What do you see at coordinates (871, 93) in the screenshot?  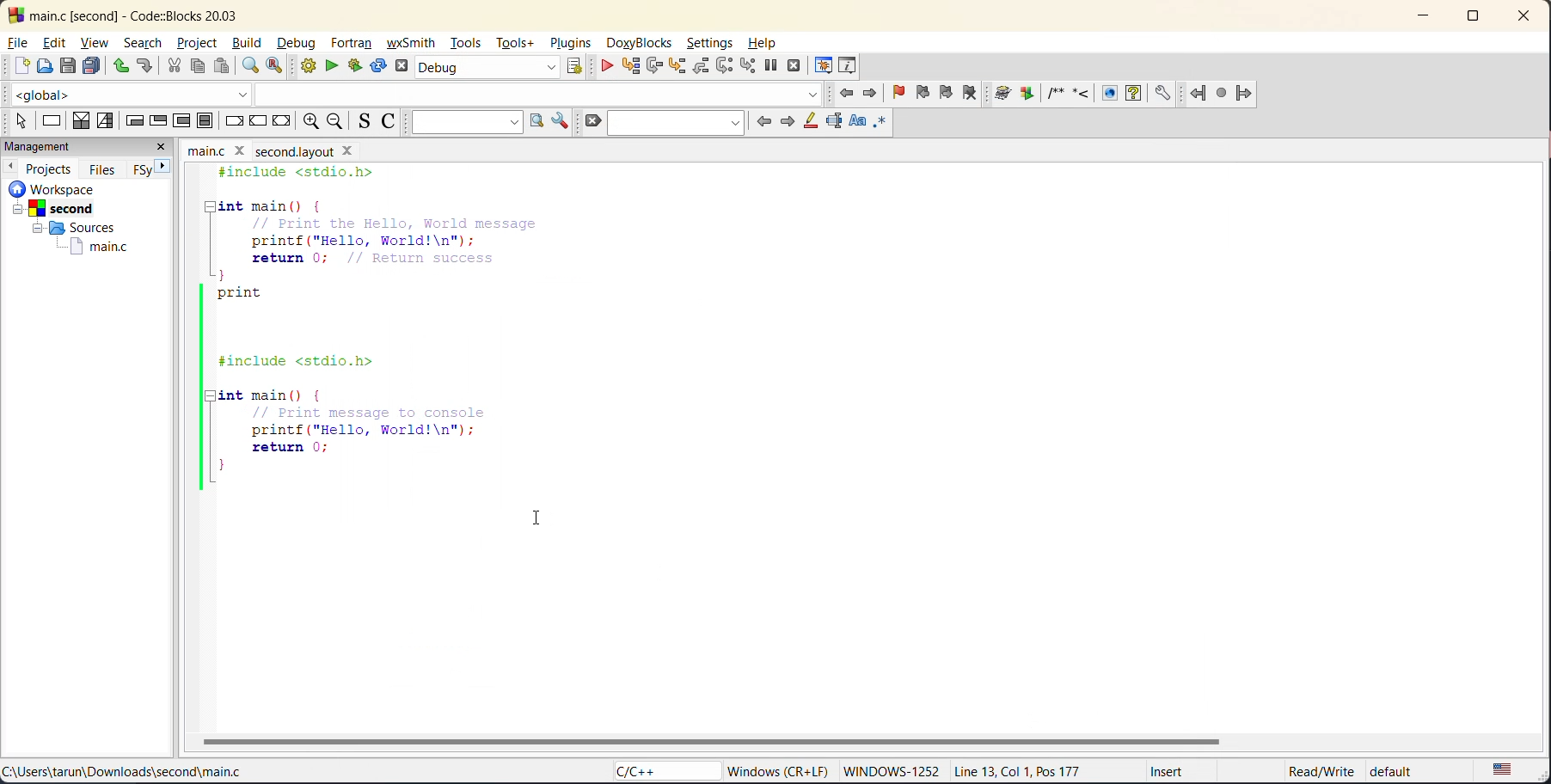 I see `jump forward` at bounding box center [871, 93].